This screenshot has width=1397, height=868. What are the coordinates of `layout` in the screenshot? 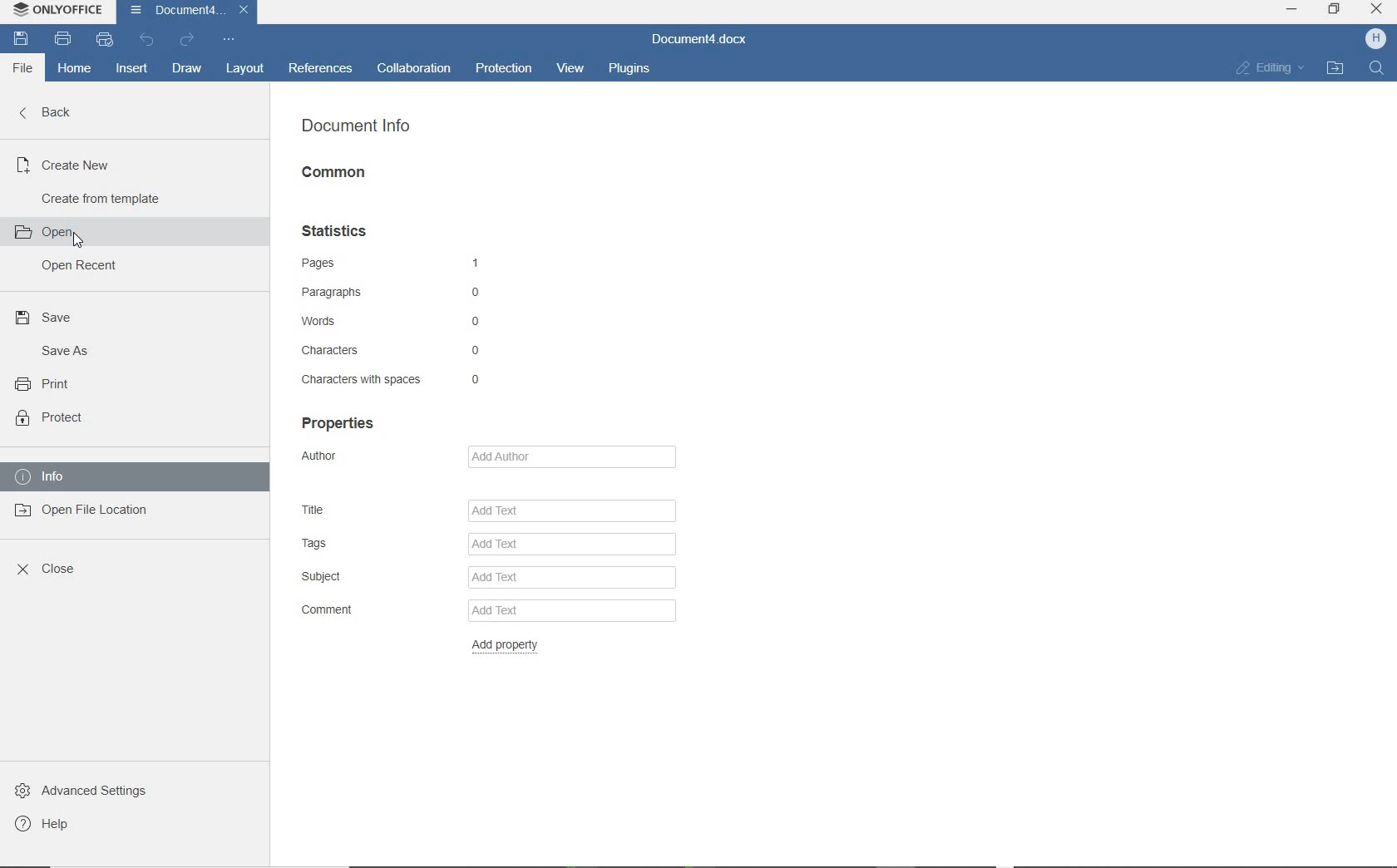 It's located at (244, 69).